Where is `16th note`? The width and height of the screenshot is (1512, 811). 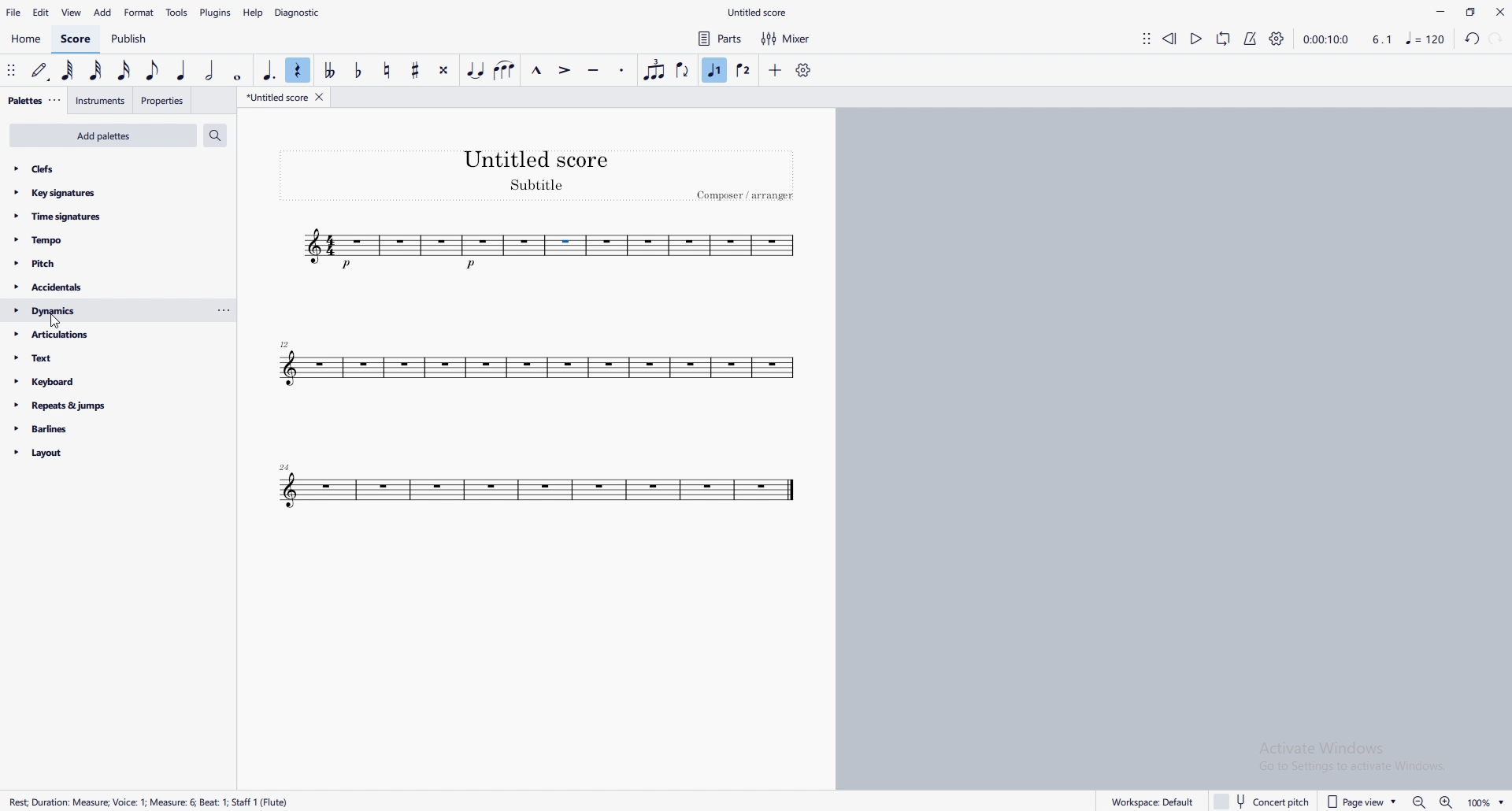
16th note is located at coordinates (124, 71).